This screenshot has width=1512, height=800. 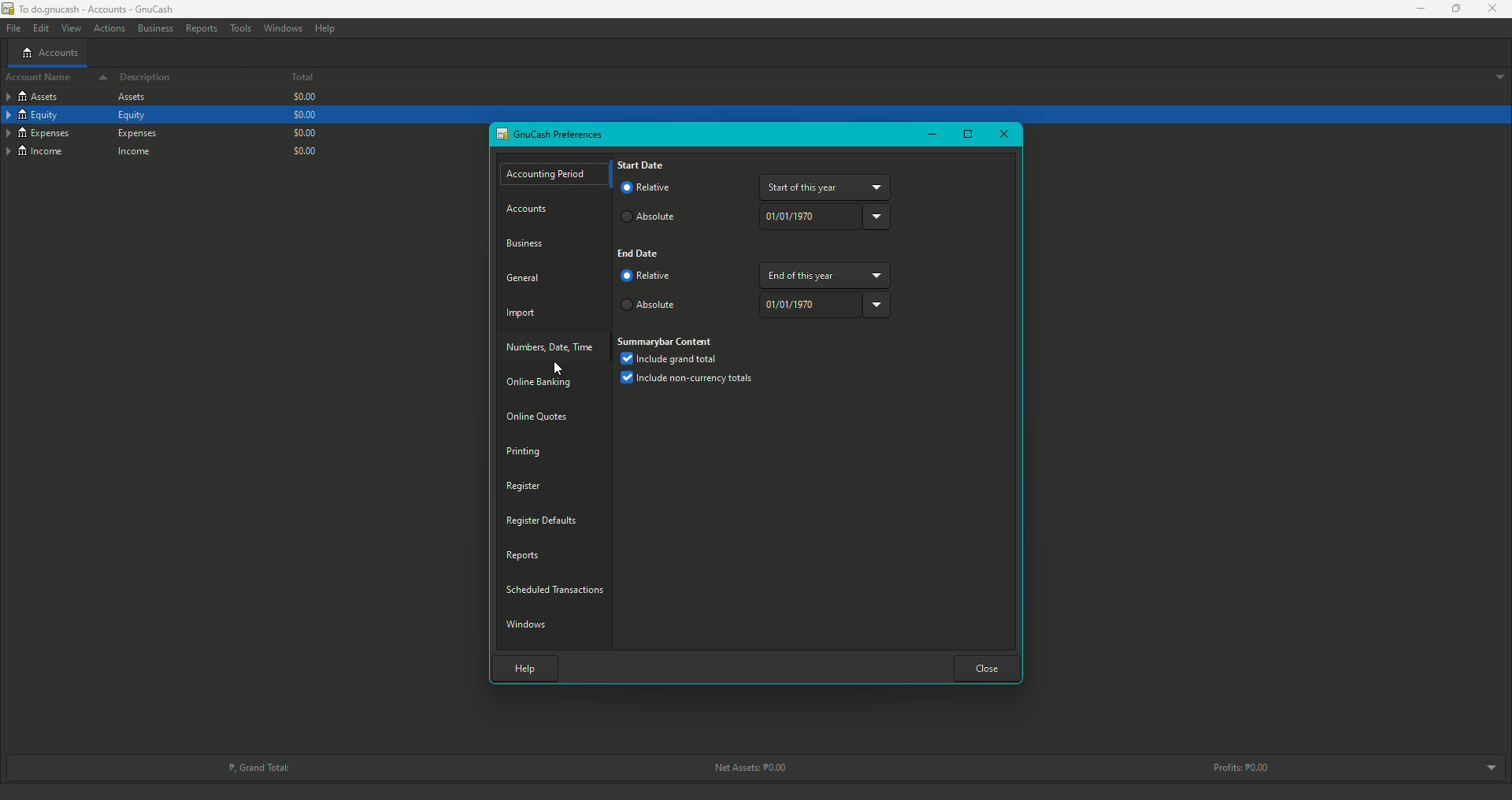 I want to click on Import, so click(x=524, y=315).